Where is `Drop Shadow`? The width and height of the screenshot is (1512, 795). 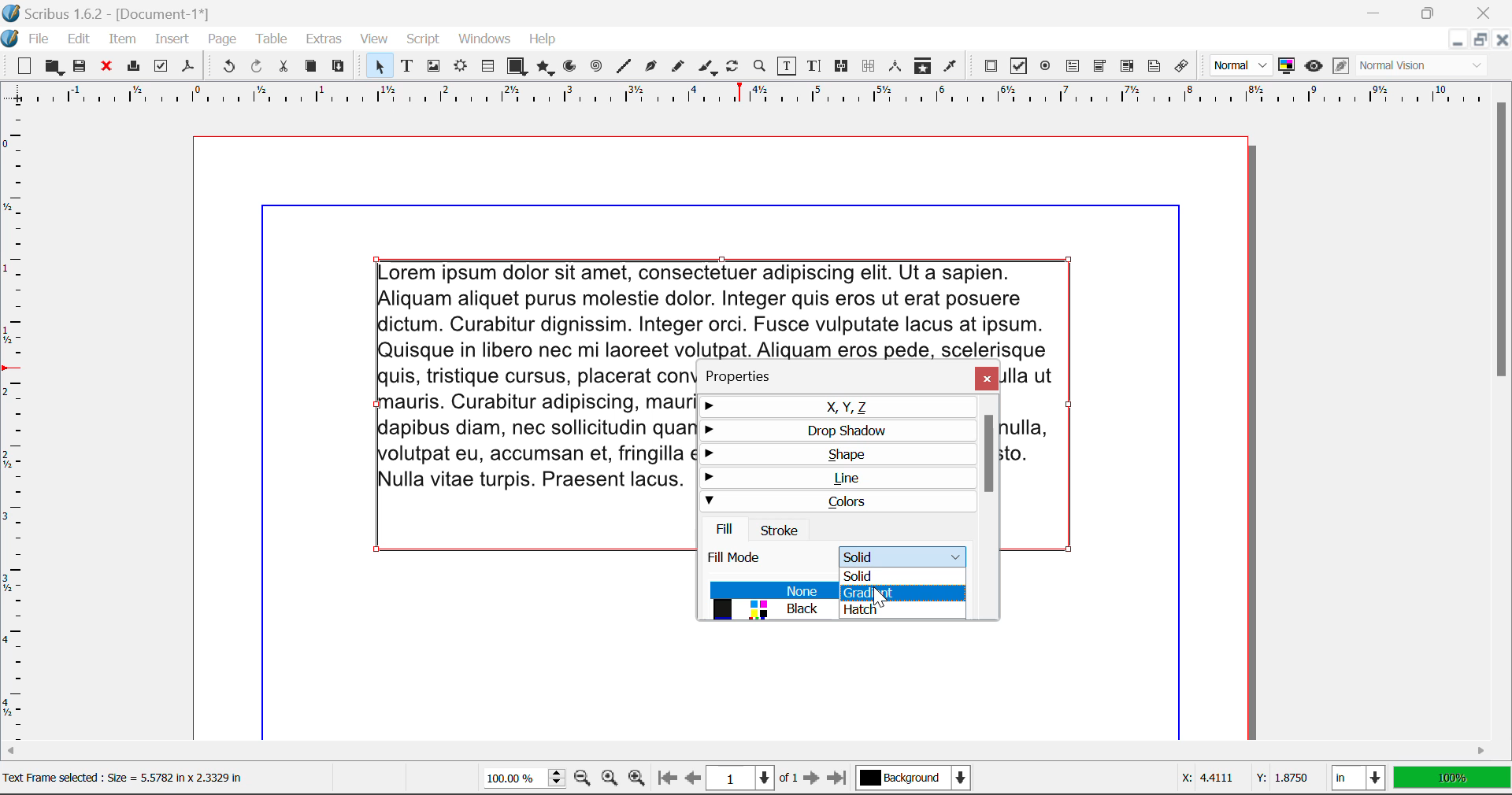
Drop Shadow is located at coordinates (839, 431).